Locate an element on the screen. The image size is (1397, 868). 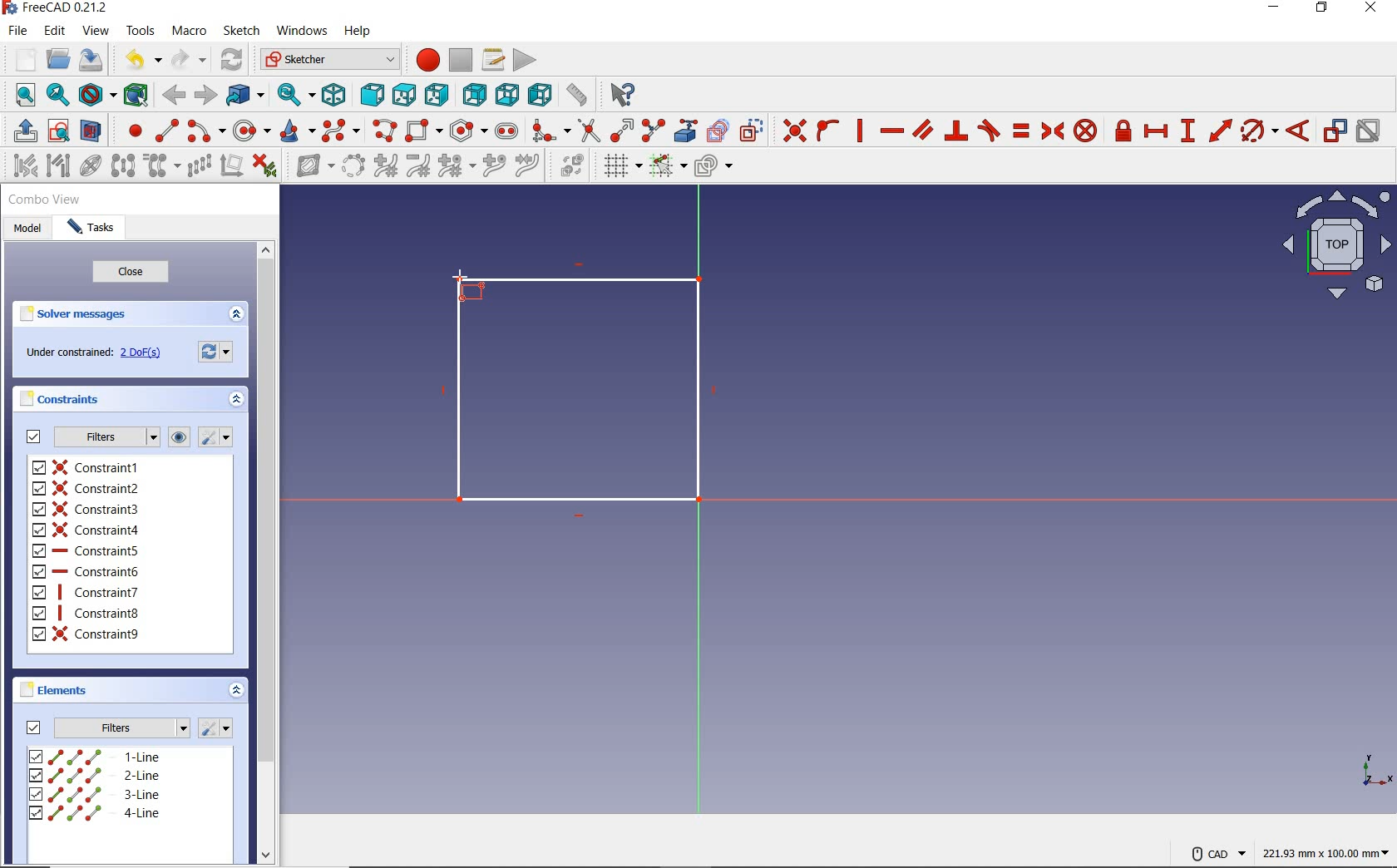
create carbon copy is located at coordinates (718, 131).